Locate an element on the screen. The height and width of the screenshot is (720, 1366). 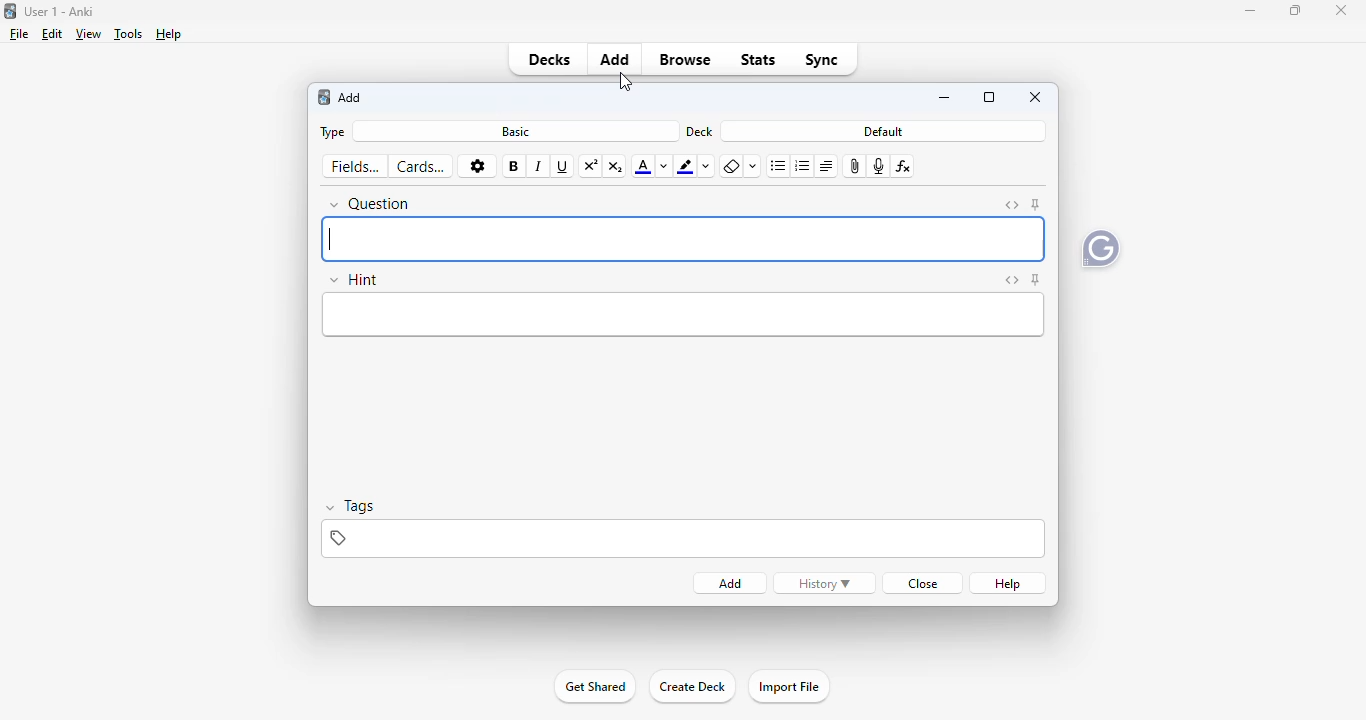
stats is located at coordinates (757, 60).